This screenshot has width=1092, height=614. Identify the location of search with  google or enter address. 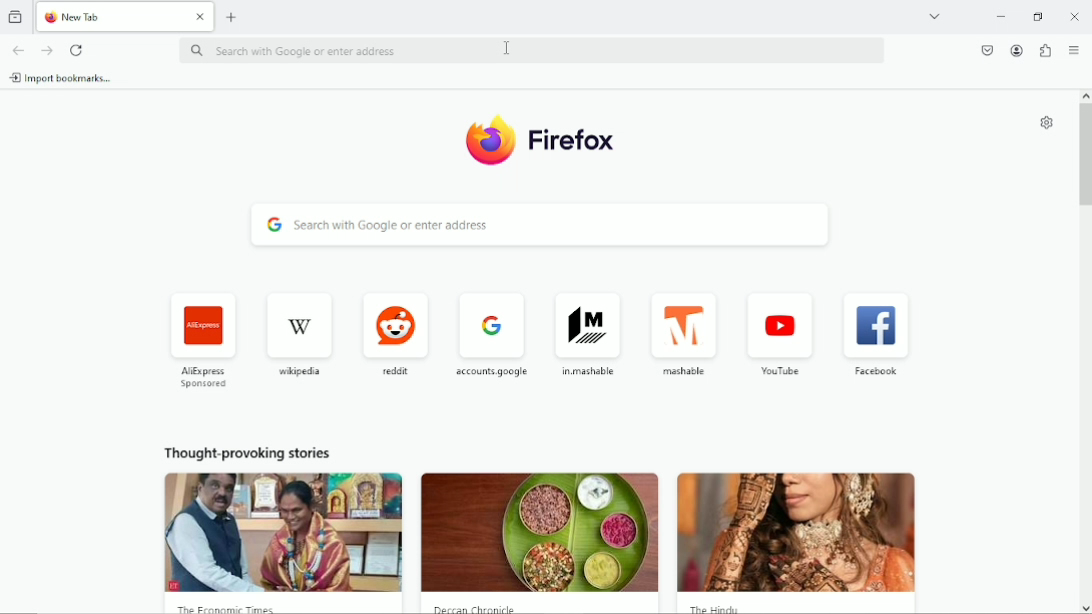
(565, 226).